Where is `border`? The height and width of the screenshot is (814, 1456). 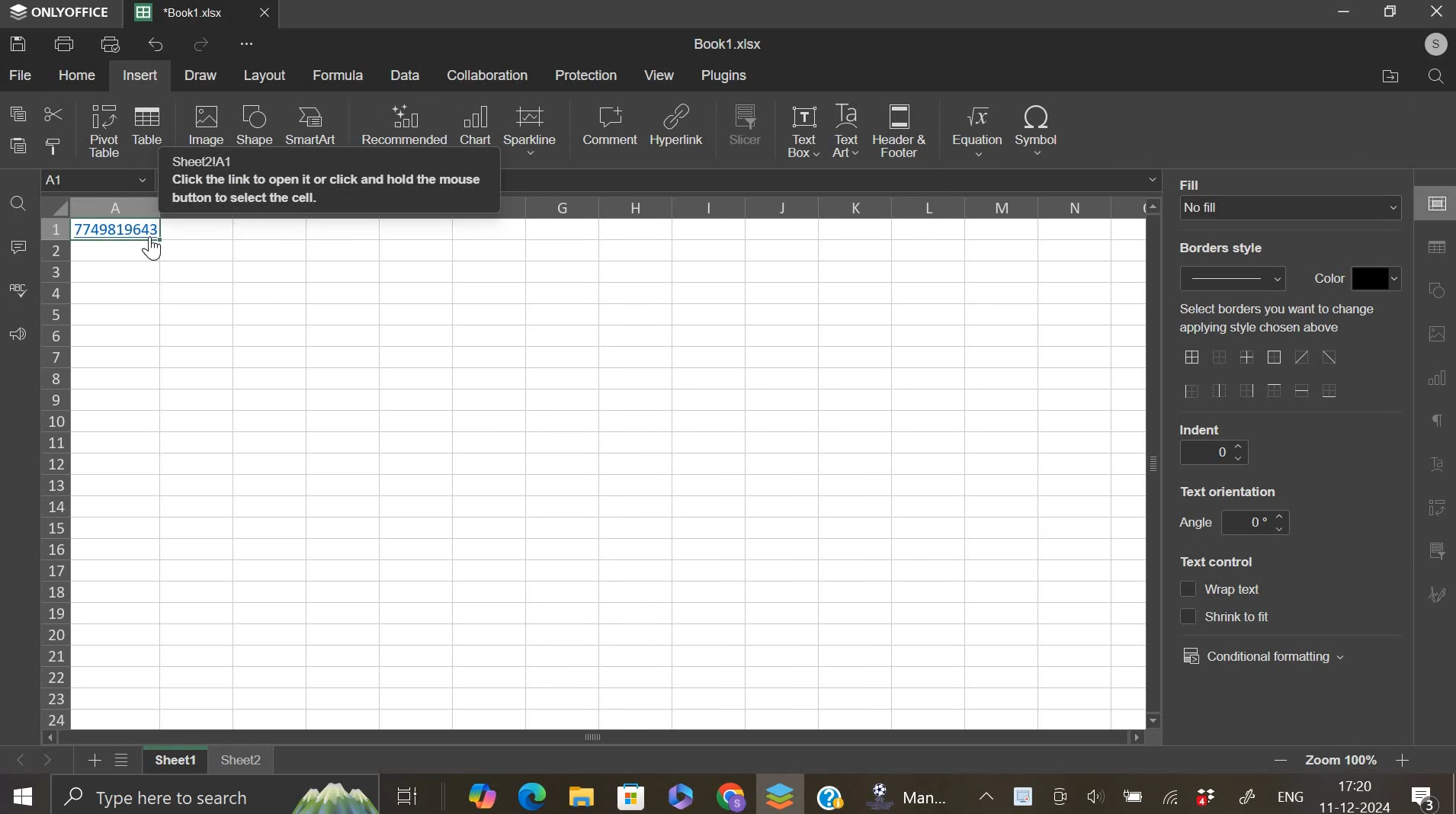 border is located at coordinates (1259, 376).